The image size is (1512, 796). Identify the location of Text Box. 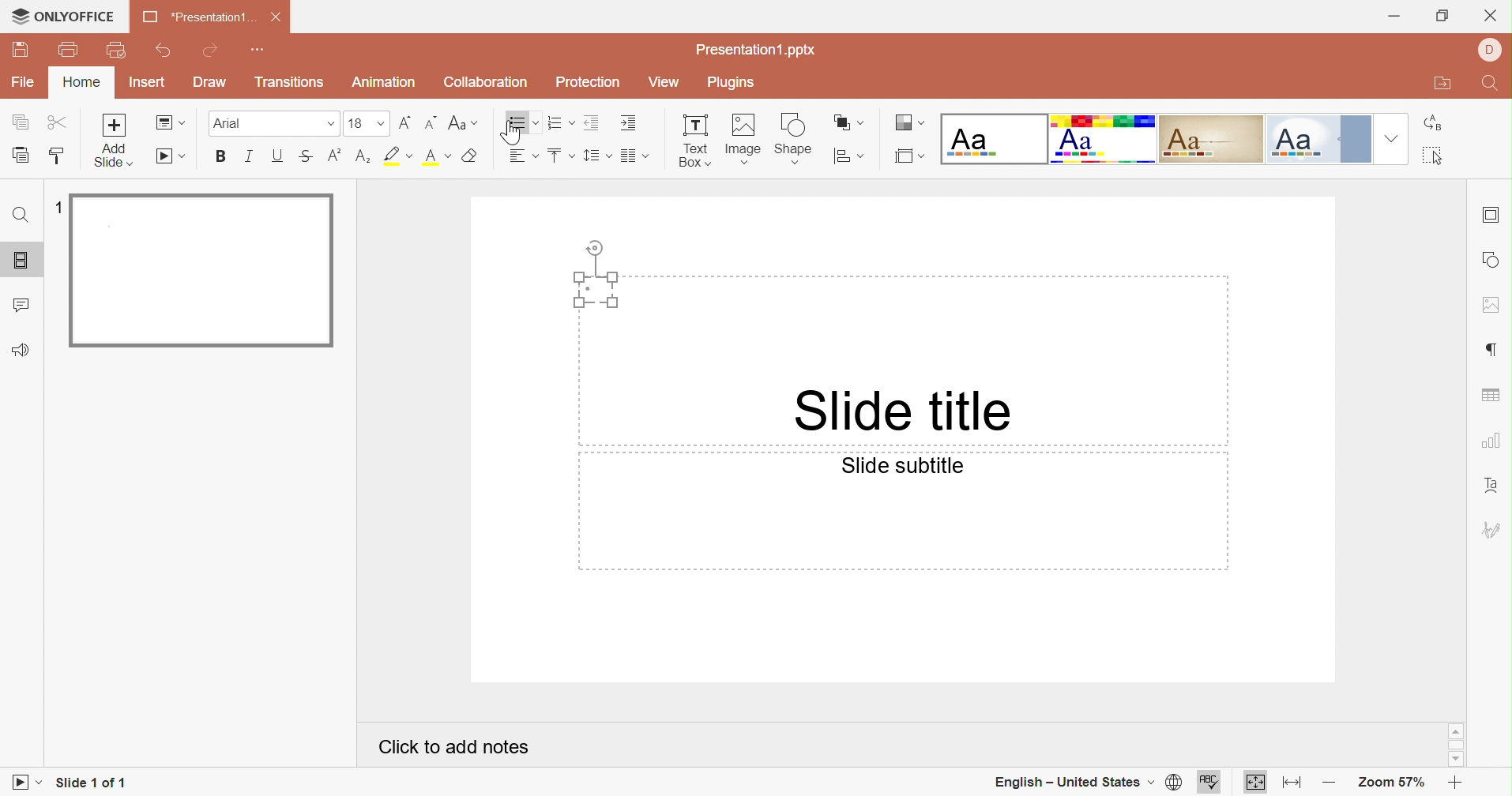
(598, 289).